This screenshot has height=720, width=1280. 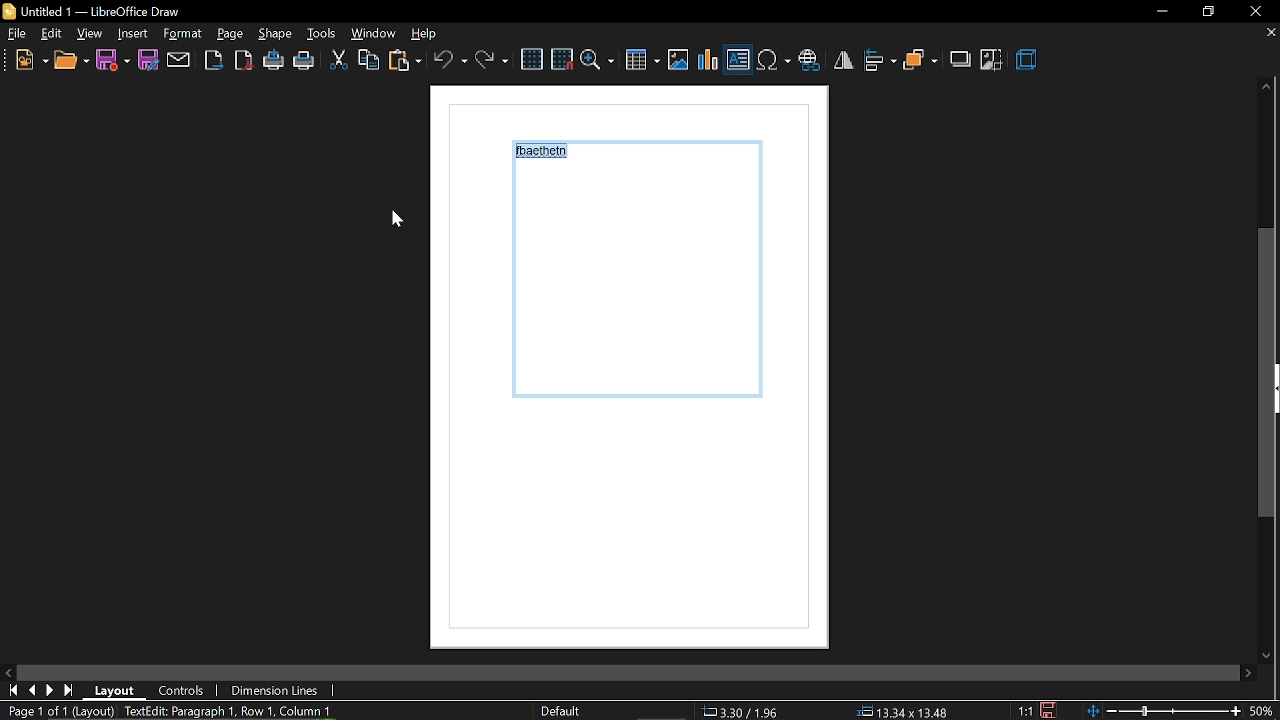 What do you see at coordinates (1161, 12) in the screenshot?
I see `Minimize` at bounding box center [1161, 12].